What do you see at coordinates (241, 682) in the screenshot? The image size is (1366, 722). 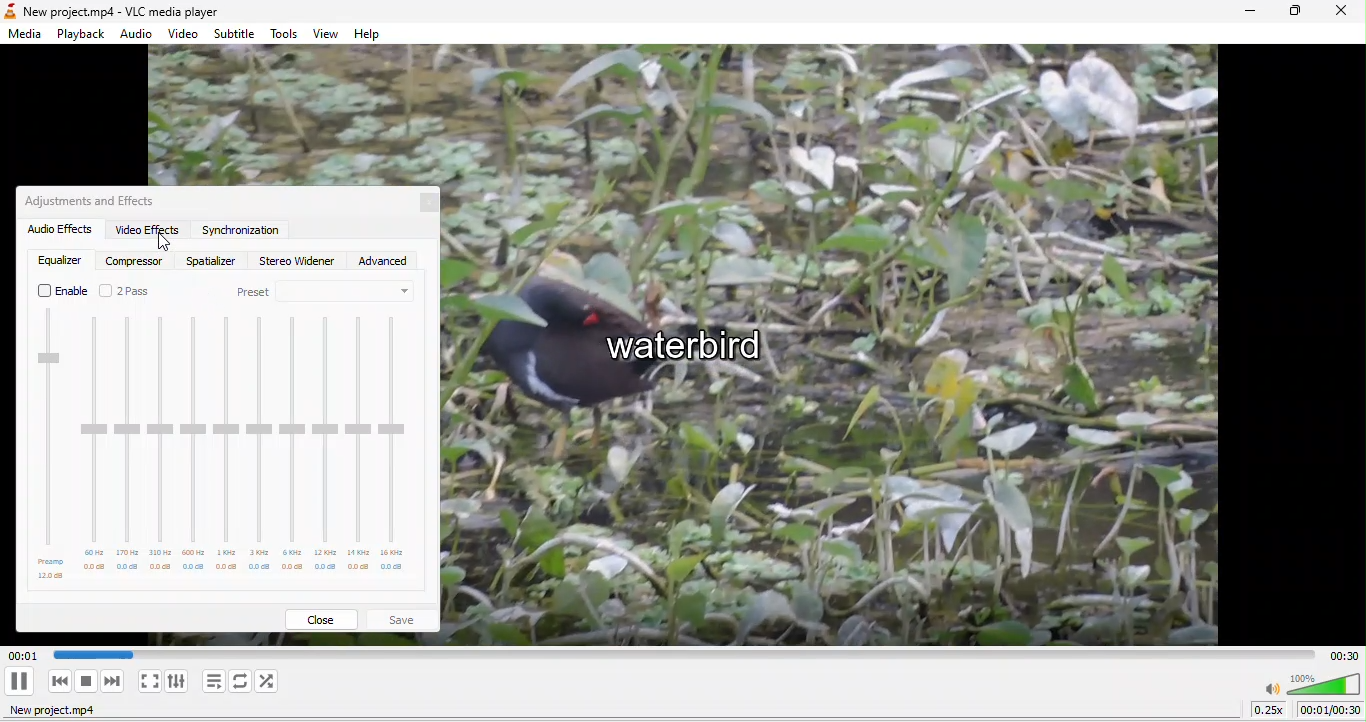 I see `click to toggle between loop all` at bounding box center [241, 682].